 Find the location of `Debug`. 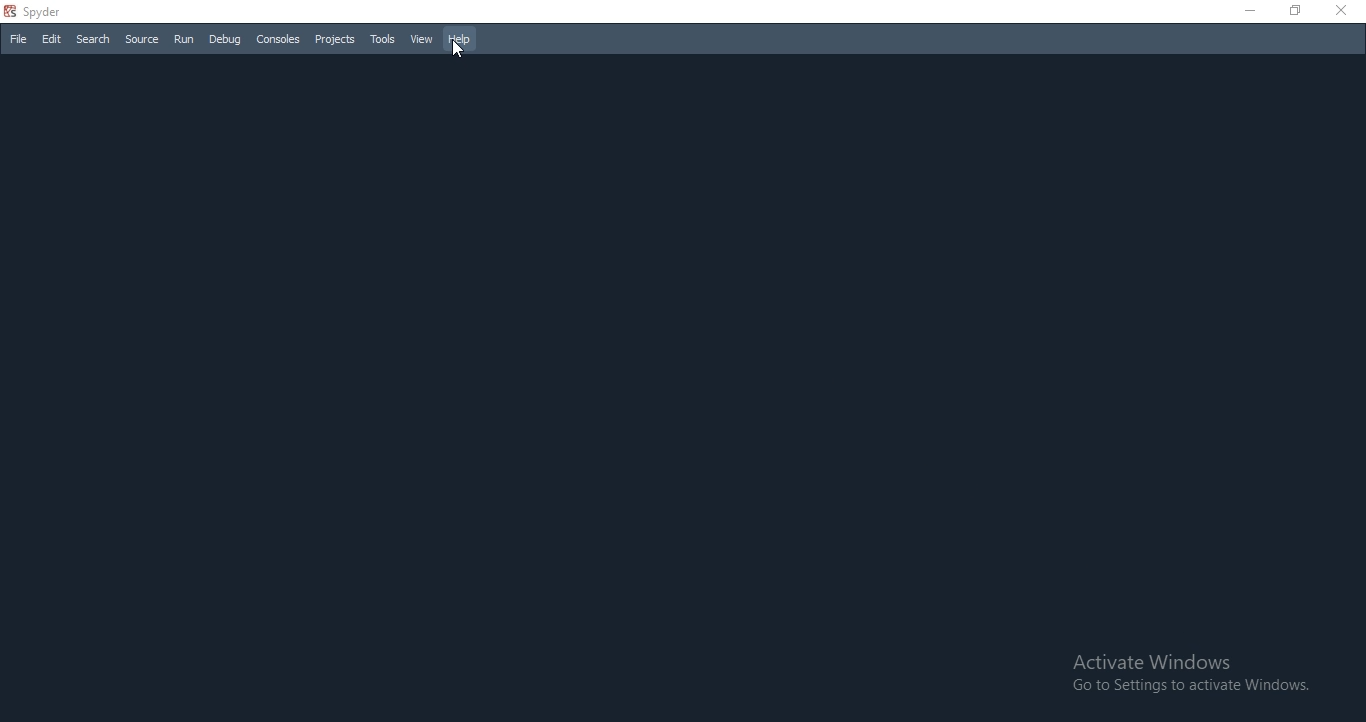

Debug is located at coordinates (225, 40).